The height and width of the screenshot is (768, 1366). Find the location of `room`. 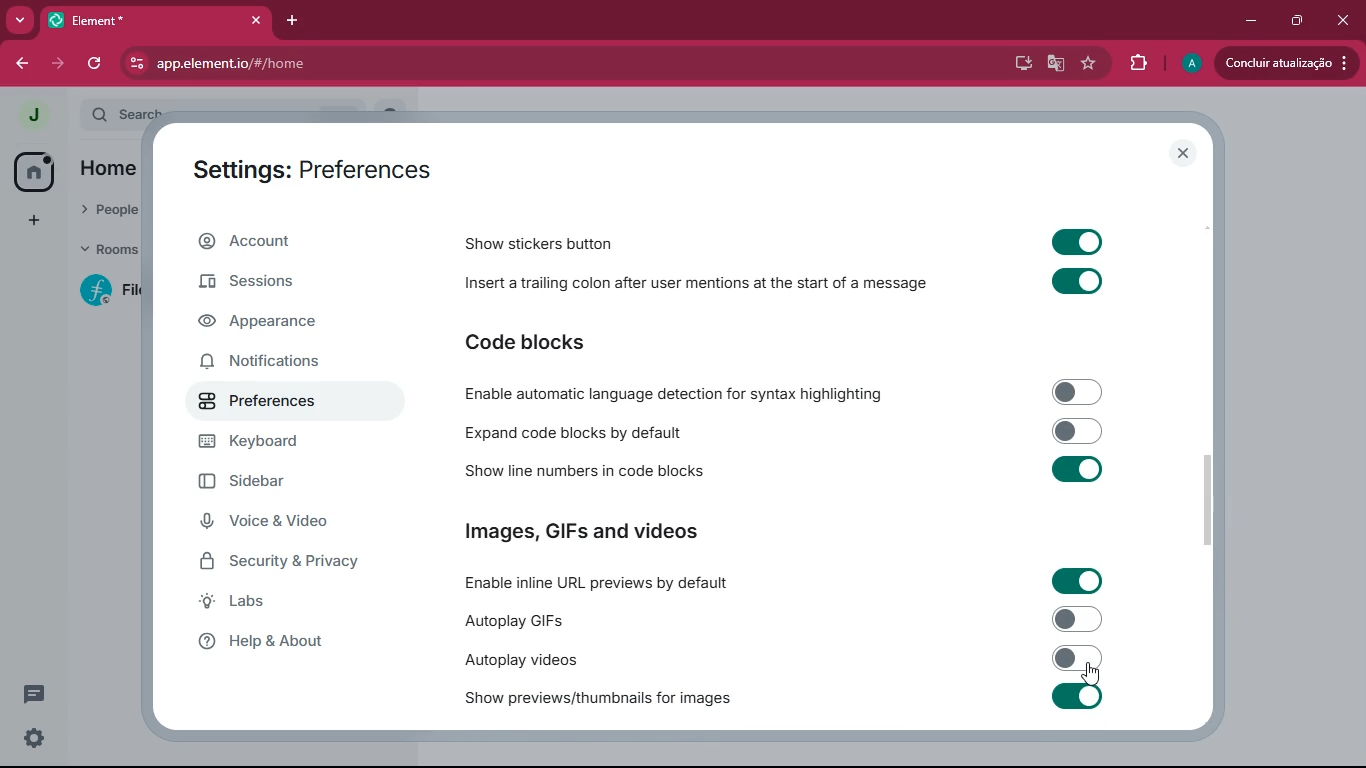

room is located at coordinates (106, 290).